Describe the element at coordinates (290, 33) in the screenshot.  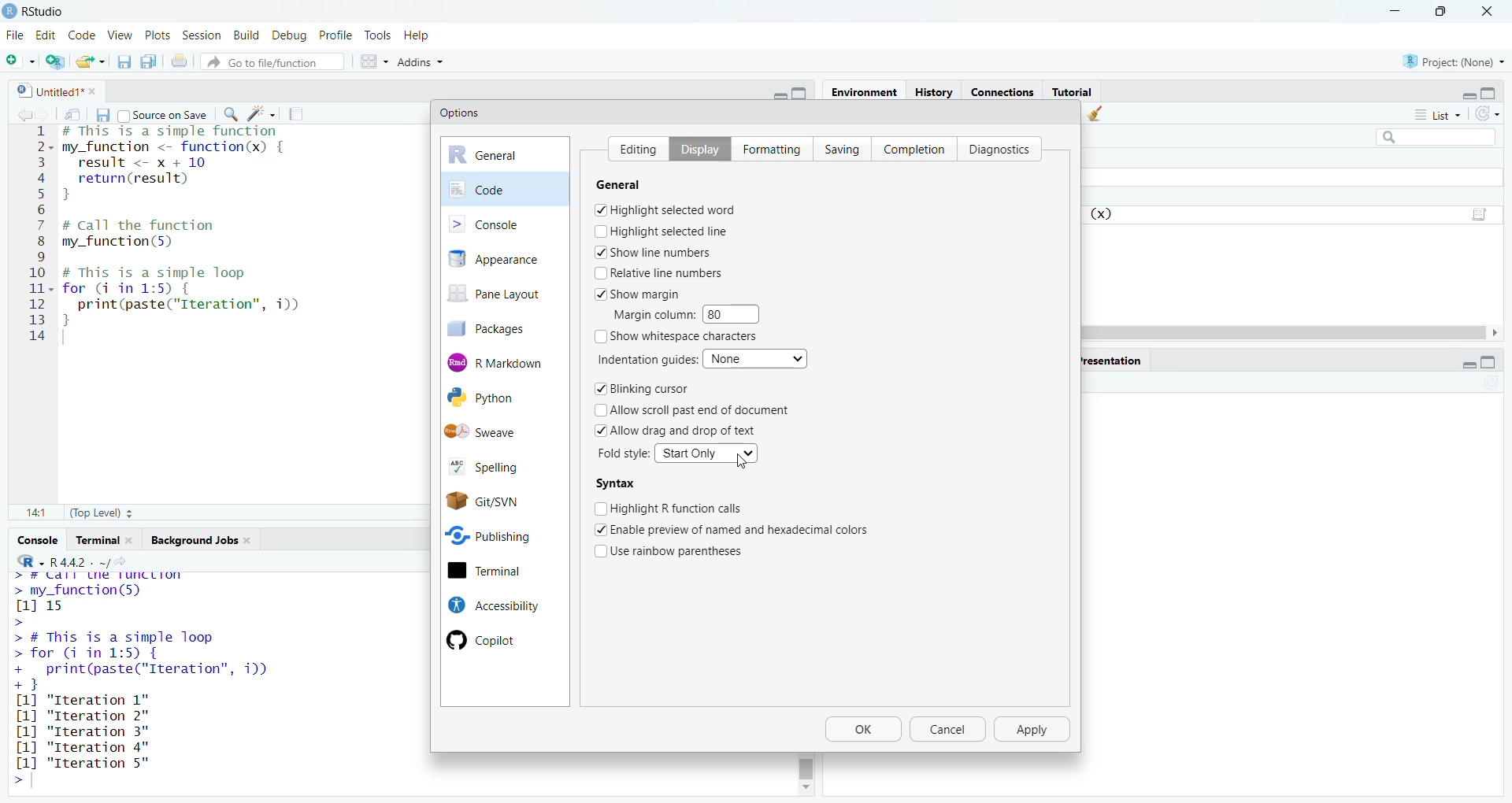
I see `debug` at that location.